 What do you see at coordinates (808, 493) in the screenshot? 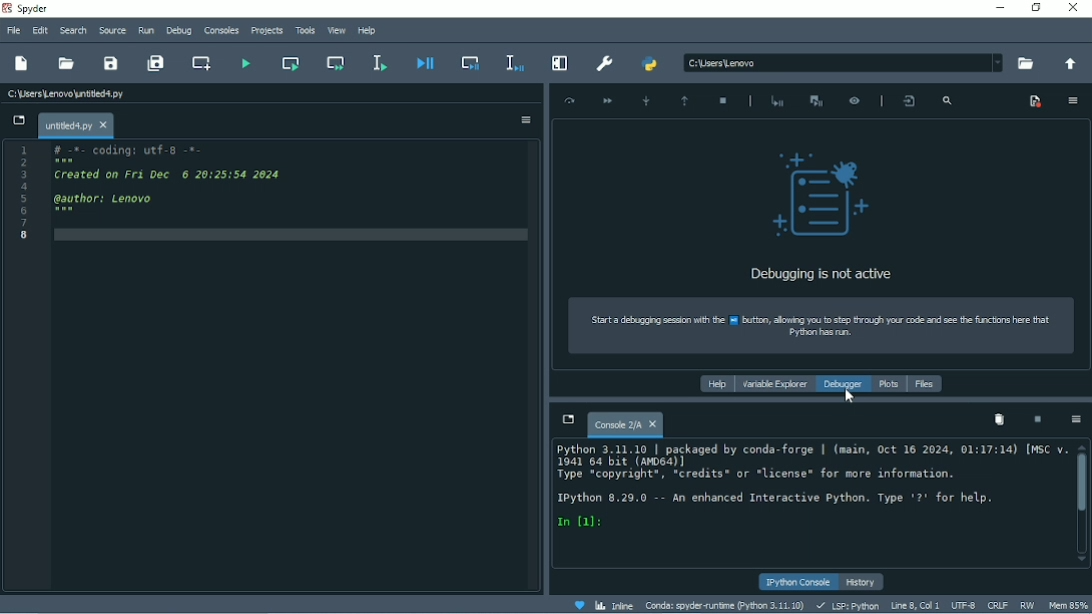
I see `Python 3.11.10 | packaged by conds-forge | (mein, Oct 16 2024, 01:17:14) [MSC v.
1041 64 bit (064)]

Type “copyright*, *credits* or *license* for more information.

Python 8.29.0 -- An enhanced Interactive Python. Type '2' for help.

n fa:` at bounding box center [808, 493].